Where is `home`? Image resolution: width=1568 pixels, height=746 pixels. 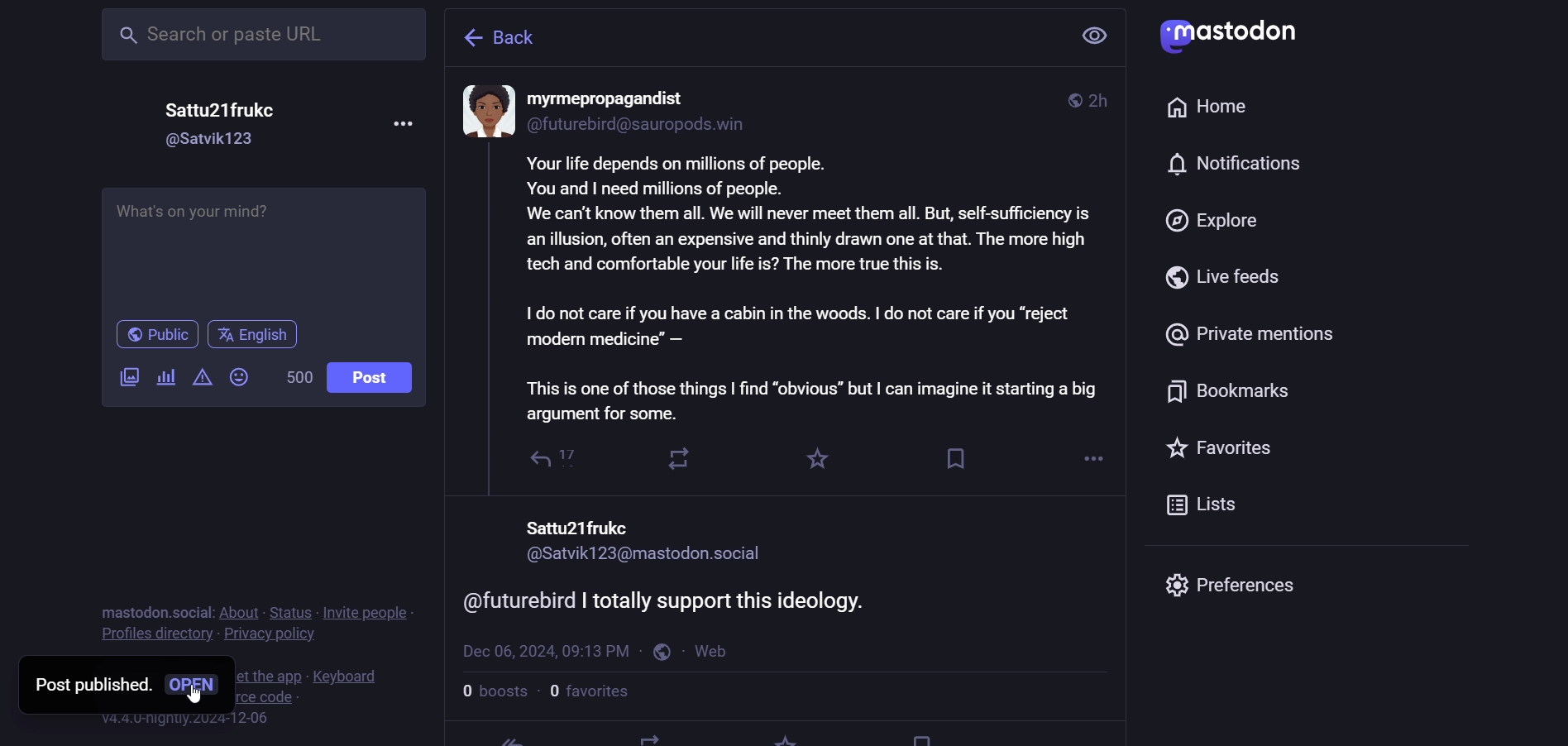 home is located at coordinates (1217, 108).